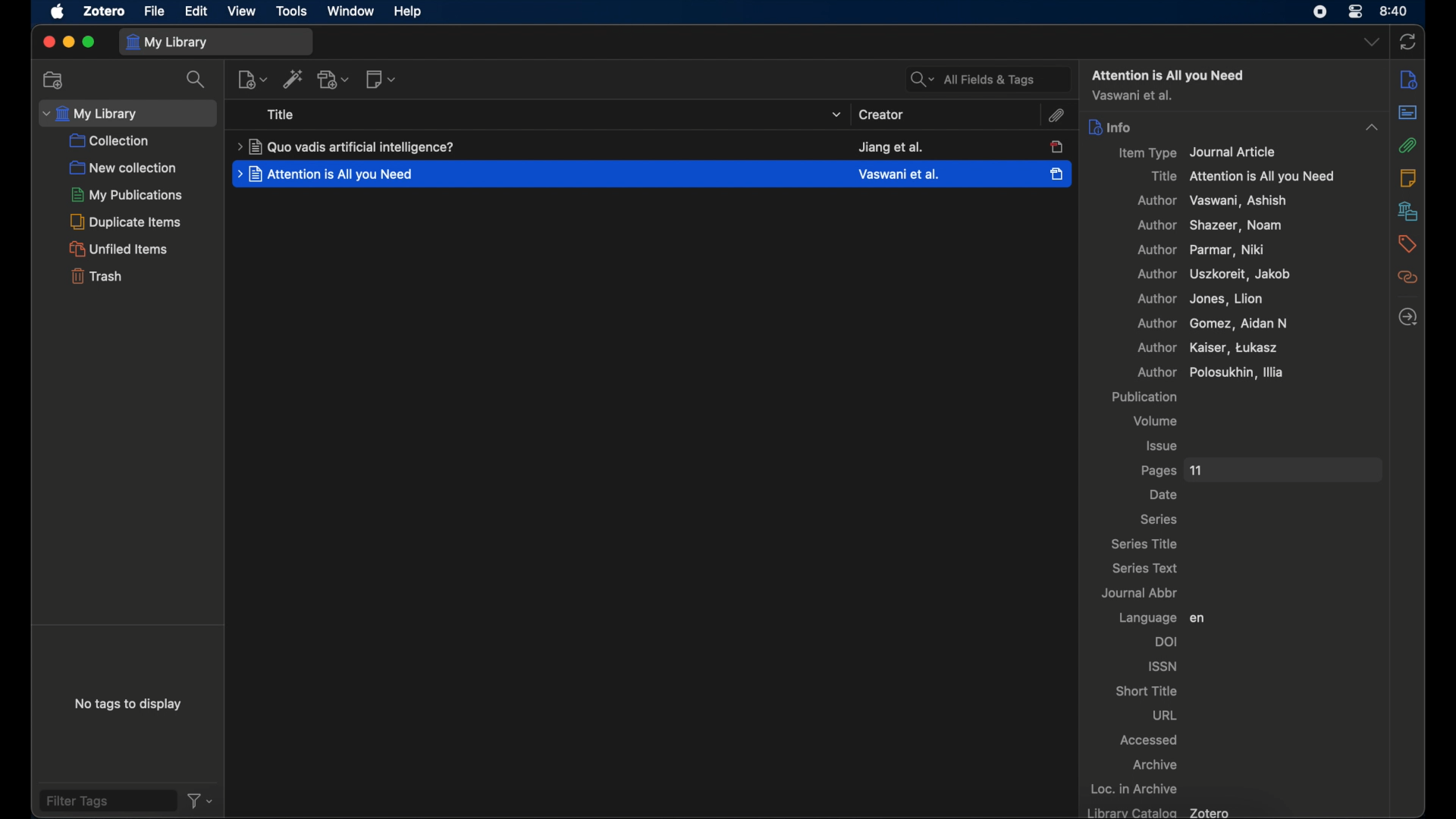  Describe the element at coordinates (107, 801) in the screenshot. I see `filter tags field` at that location.